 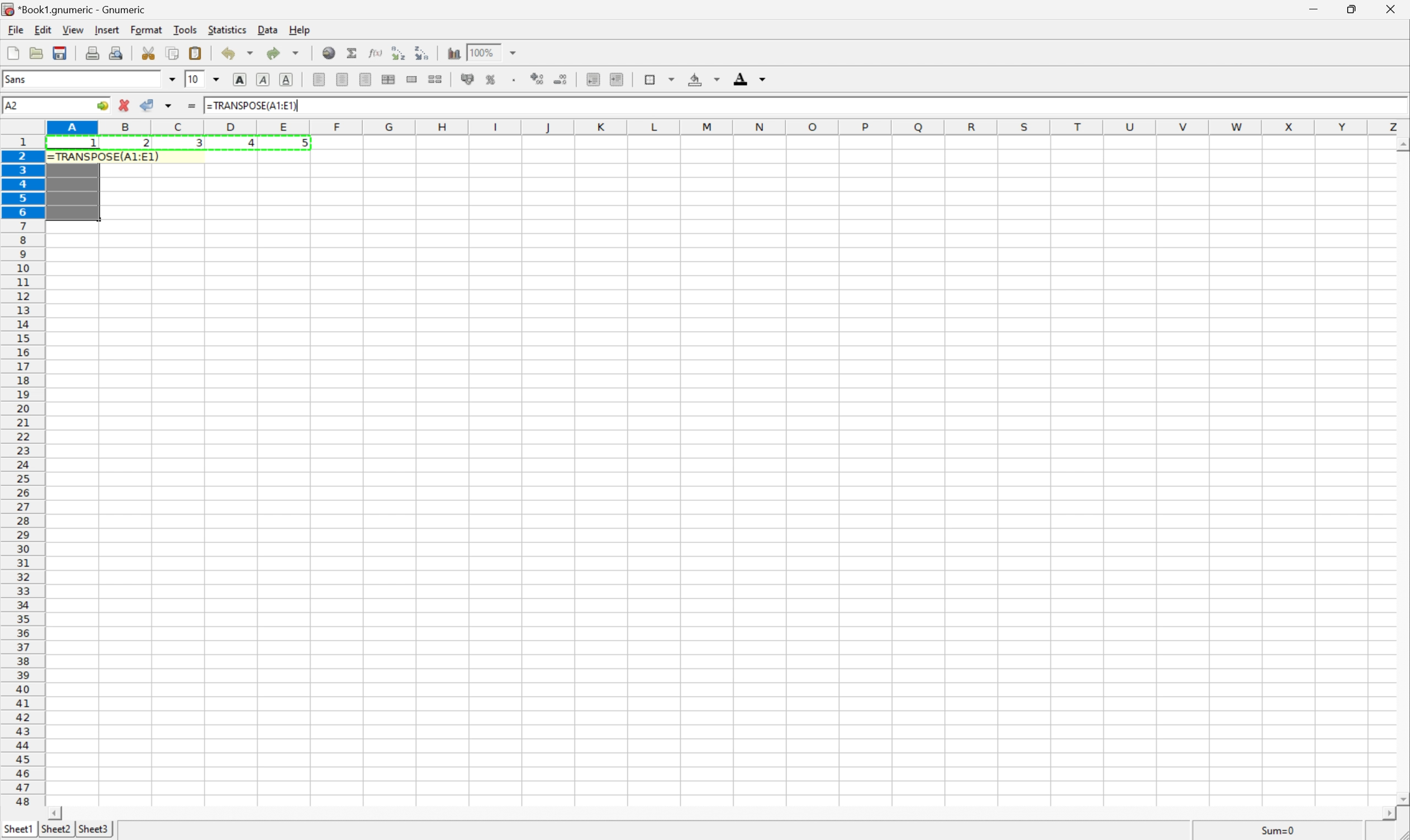 I want to click on merge a range of cells, so click(x=413, y=80).